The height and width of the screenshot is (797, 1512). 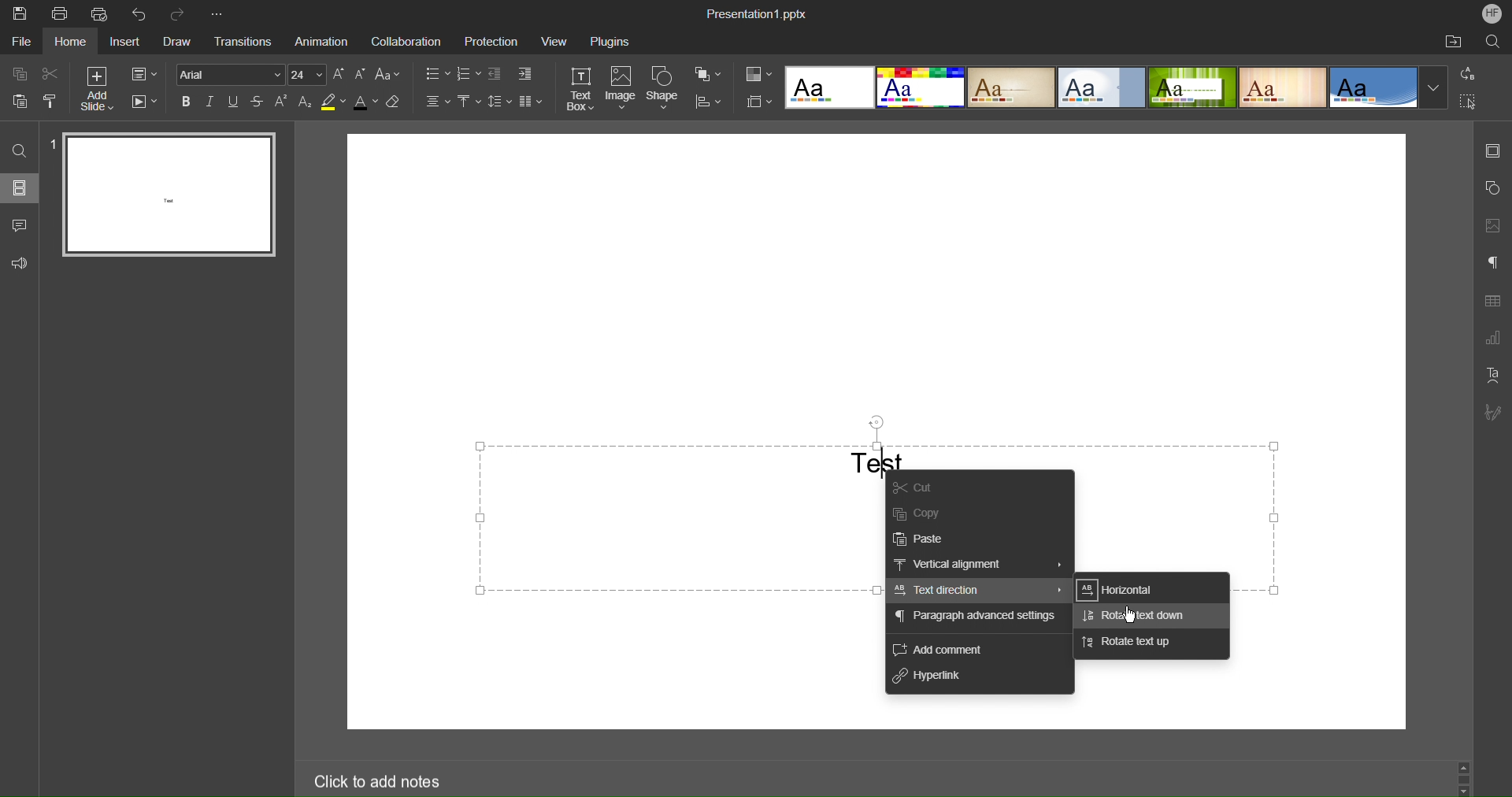 What do you see at coordinates (258, 102) in the screenshot?
I see `Strikethrough` at bounding box center [258, 102].